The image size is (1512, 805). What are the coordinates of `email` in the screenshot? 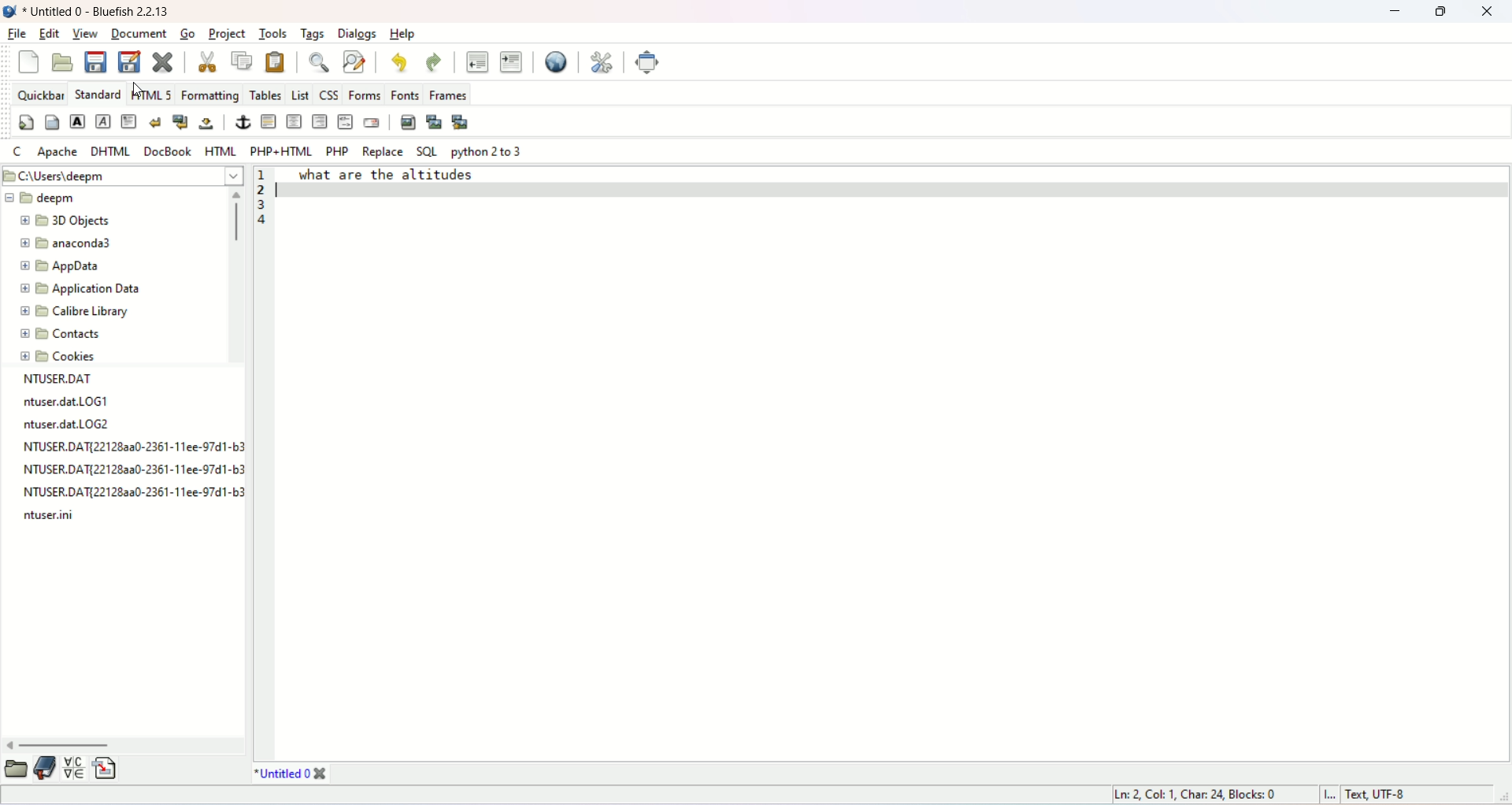 It's located at (371, 124).